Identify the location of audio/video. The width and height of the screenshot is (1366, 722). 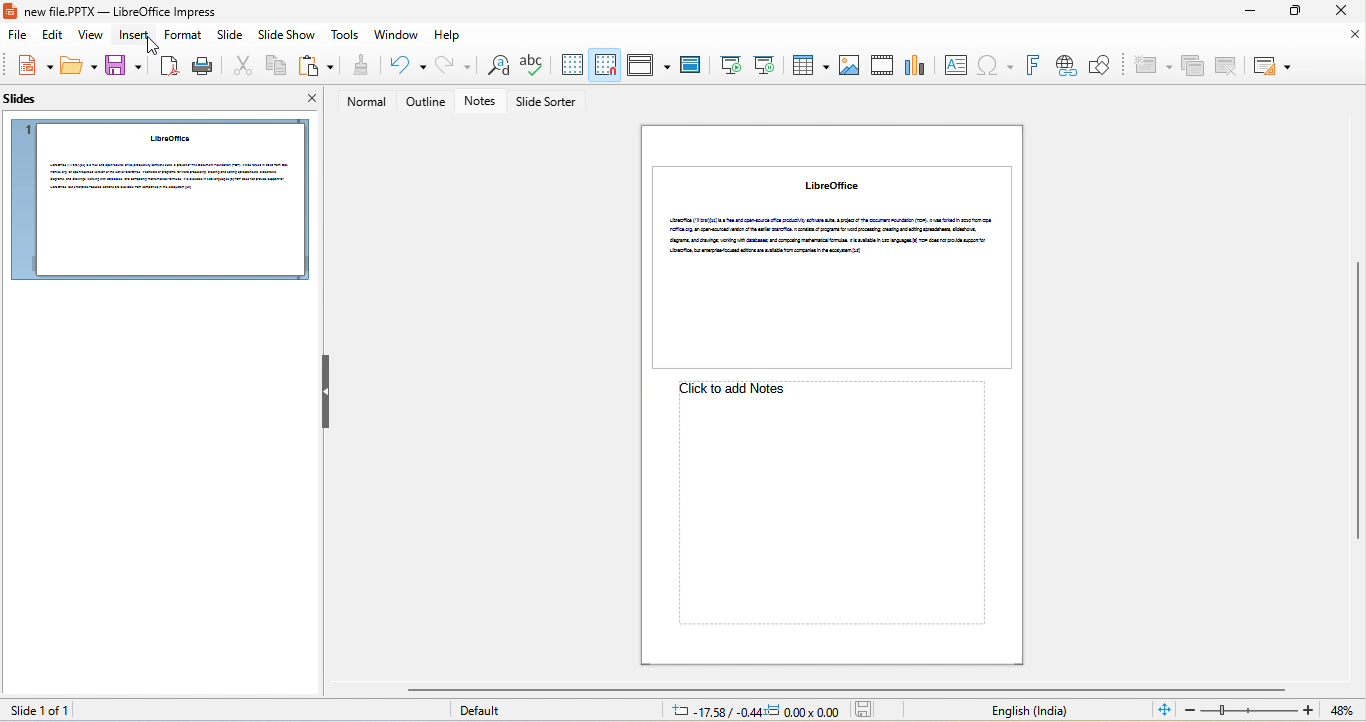
(884, 65).